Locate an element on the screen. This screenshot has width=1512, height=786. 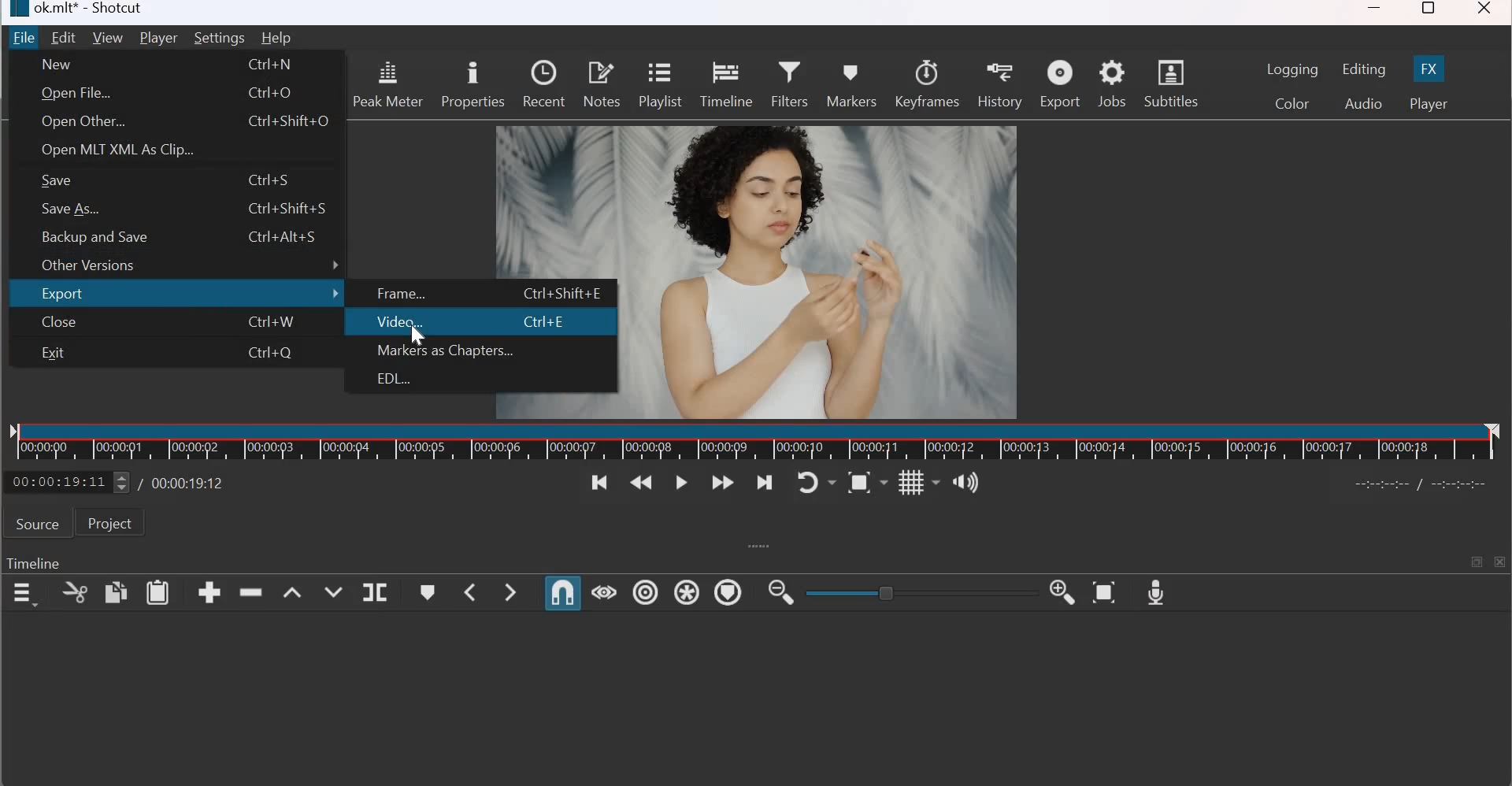
Ctrl+Shift+S is located at coordinates (288, 209).